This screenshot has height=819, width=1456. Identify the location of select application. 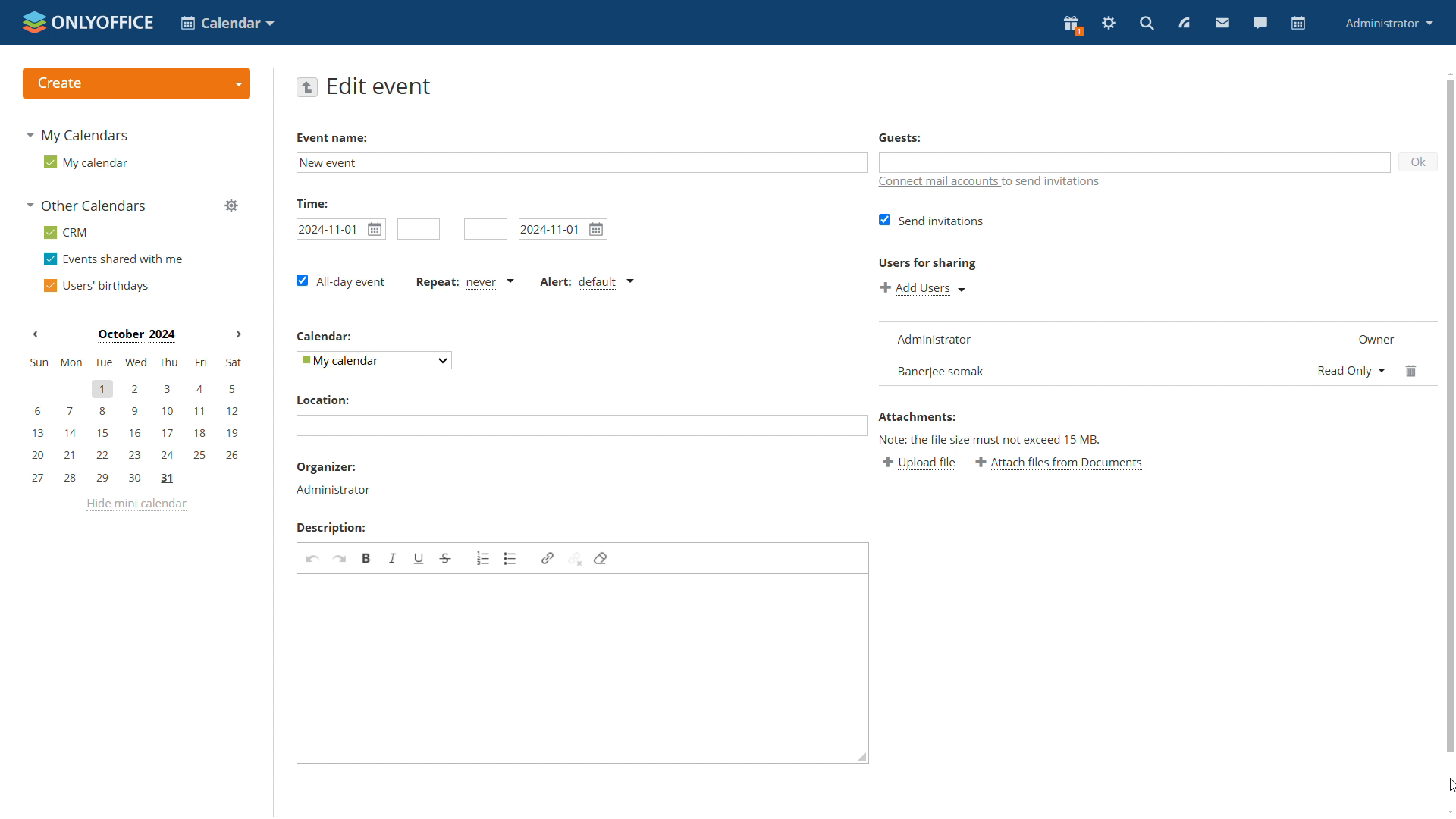
(230, 24).